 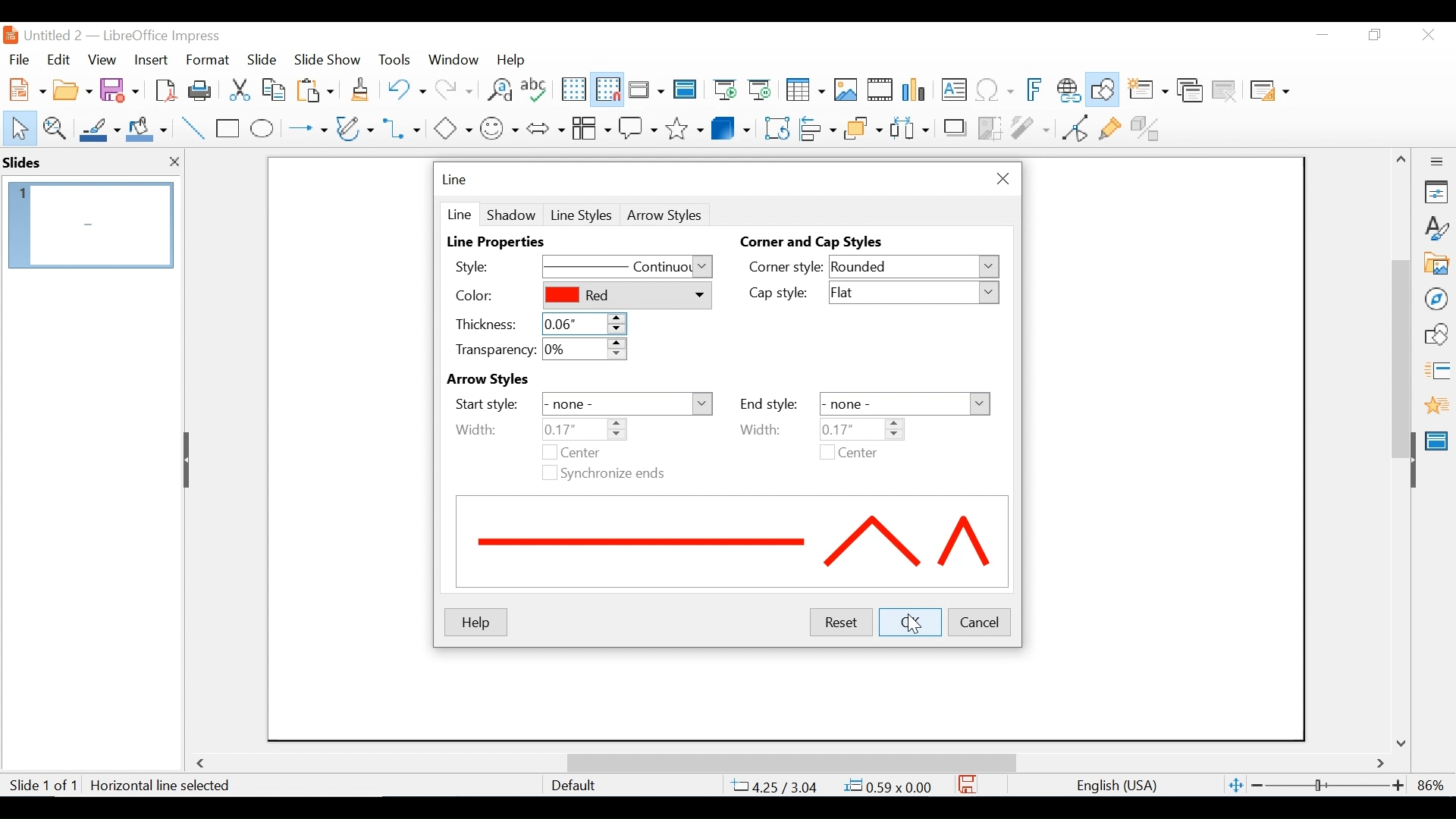 I want to click on Select, so click(x=17, y=127).